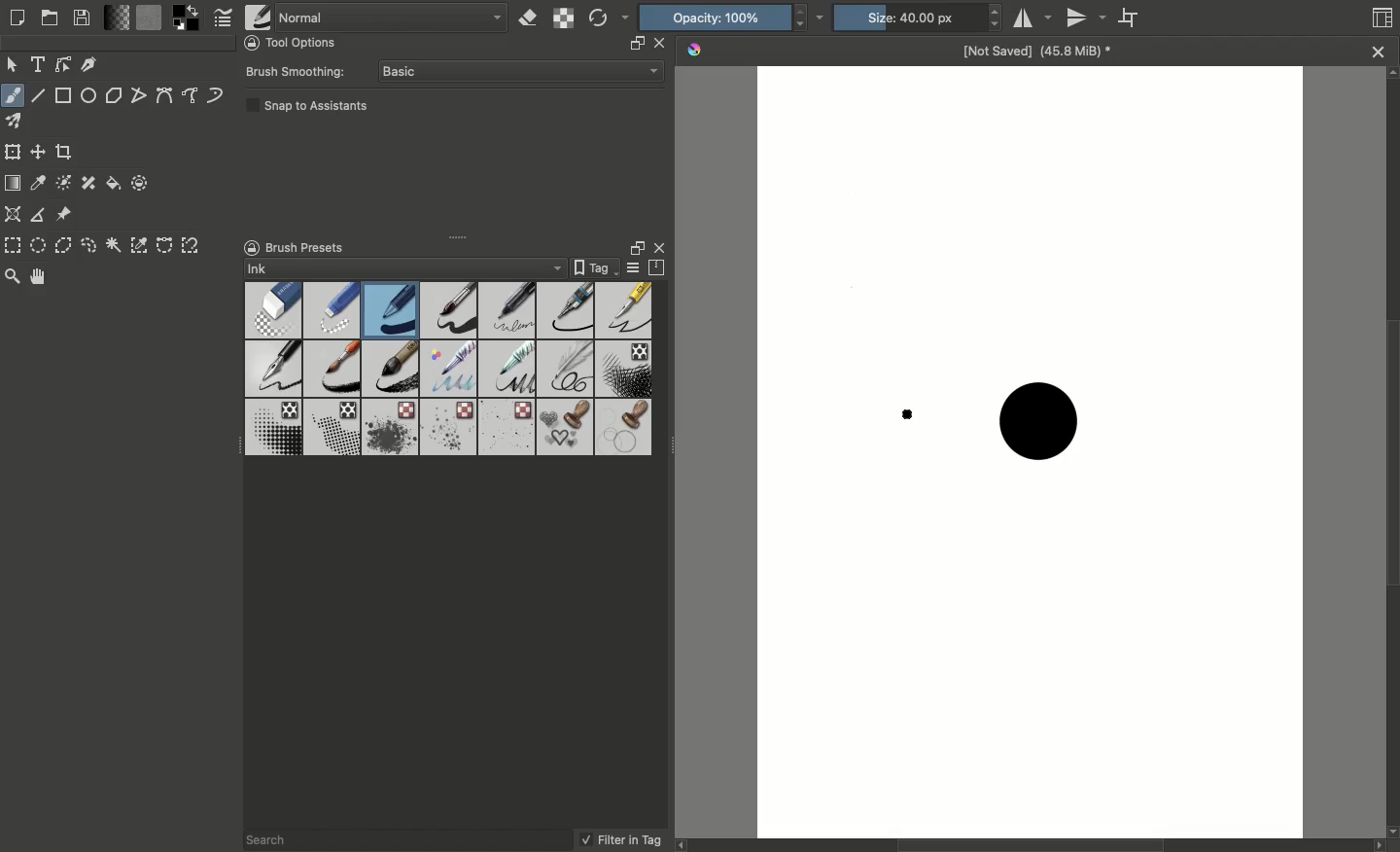 This screenshot has width=1400, height=852. Describe the element at coordinates (634, 269) in the screenshot. I see `Display settings` at that location.